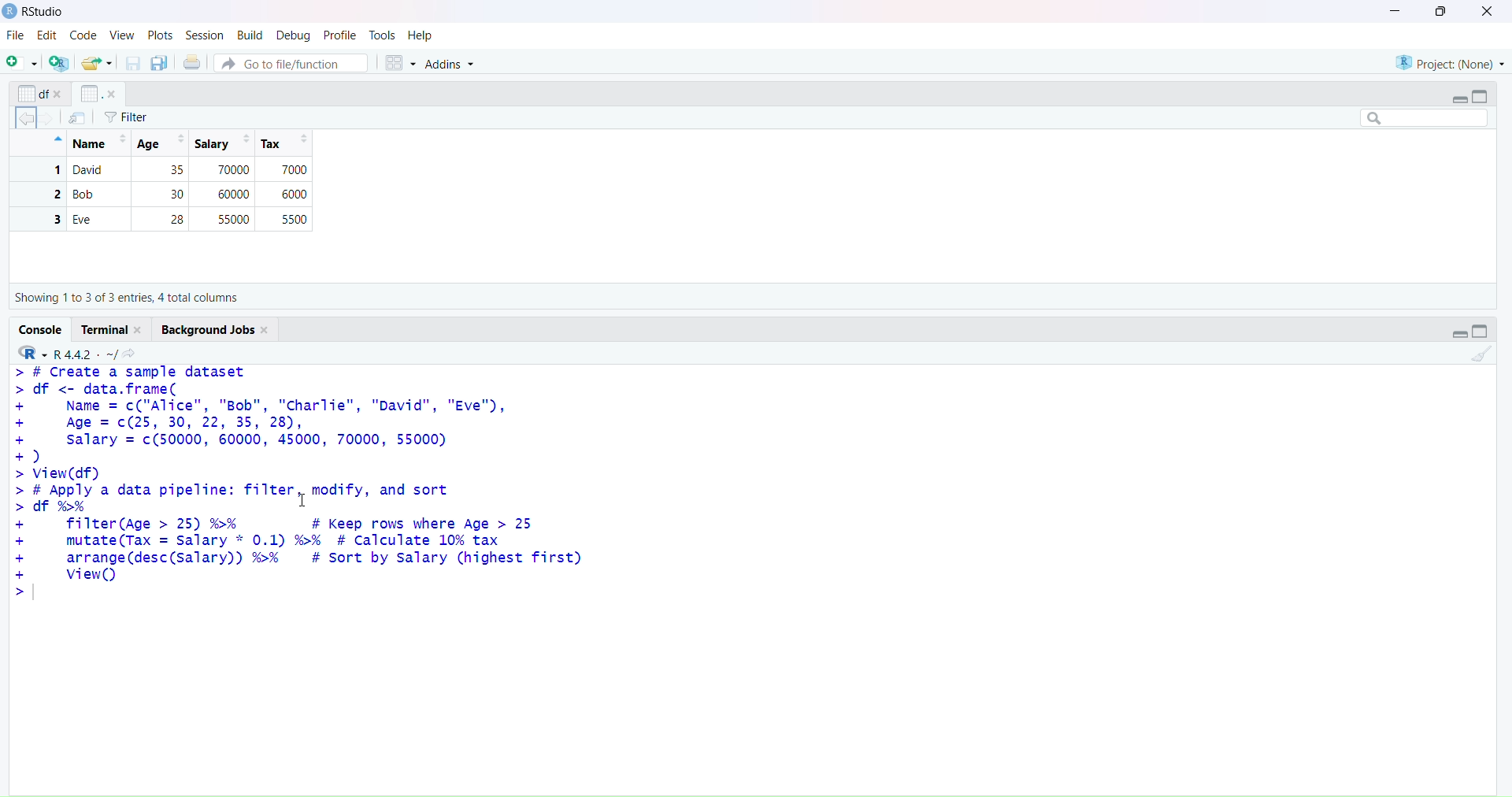  What do you see at coordinates (1388, 10) in the screenshot?
I see `minimize` at bounding box center [1388, 10].